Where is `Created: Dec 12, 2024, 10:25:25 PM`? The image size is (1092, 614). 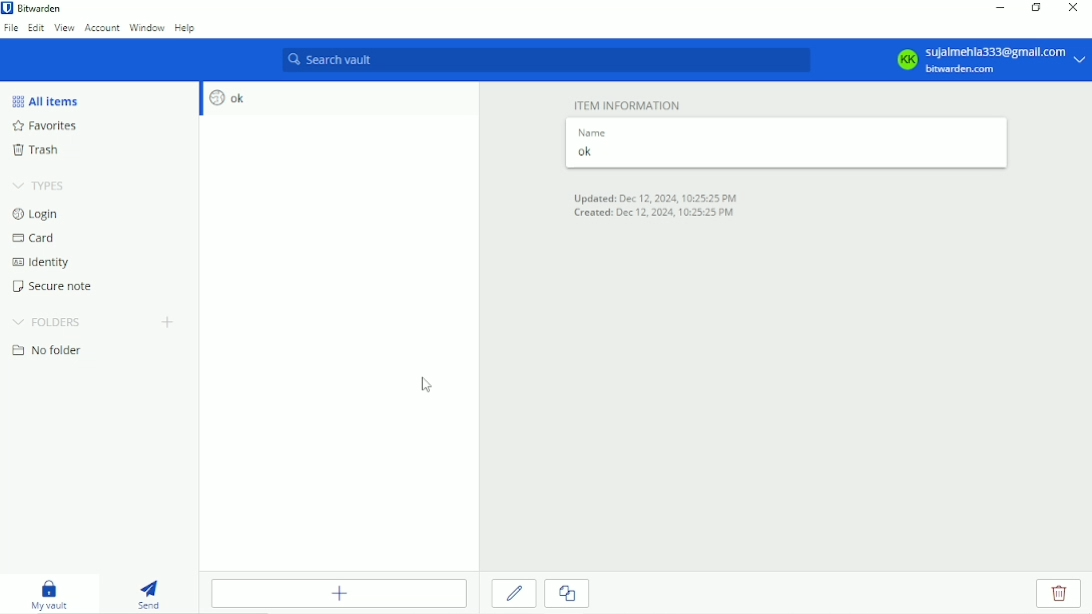 Created: Dec 12, 2024, 10:25:25 PM is located at coordinates (653, 214).